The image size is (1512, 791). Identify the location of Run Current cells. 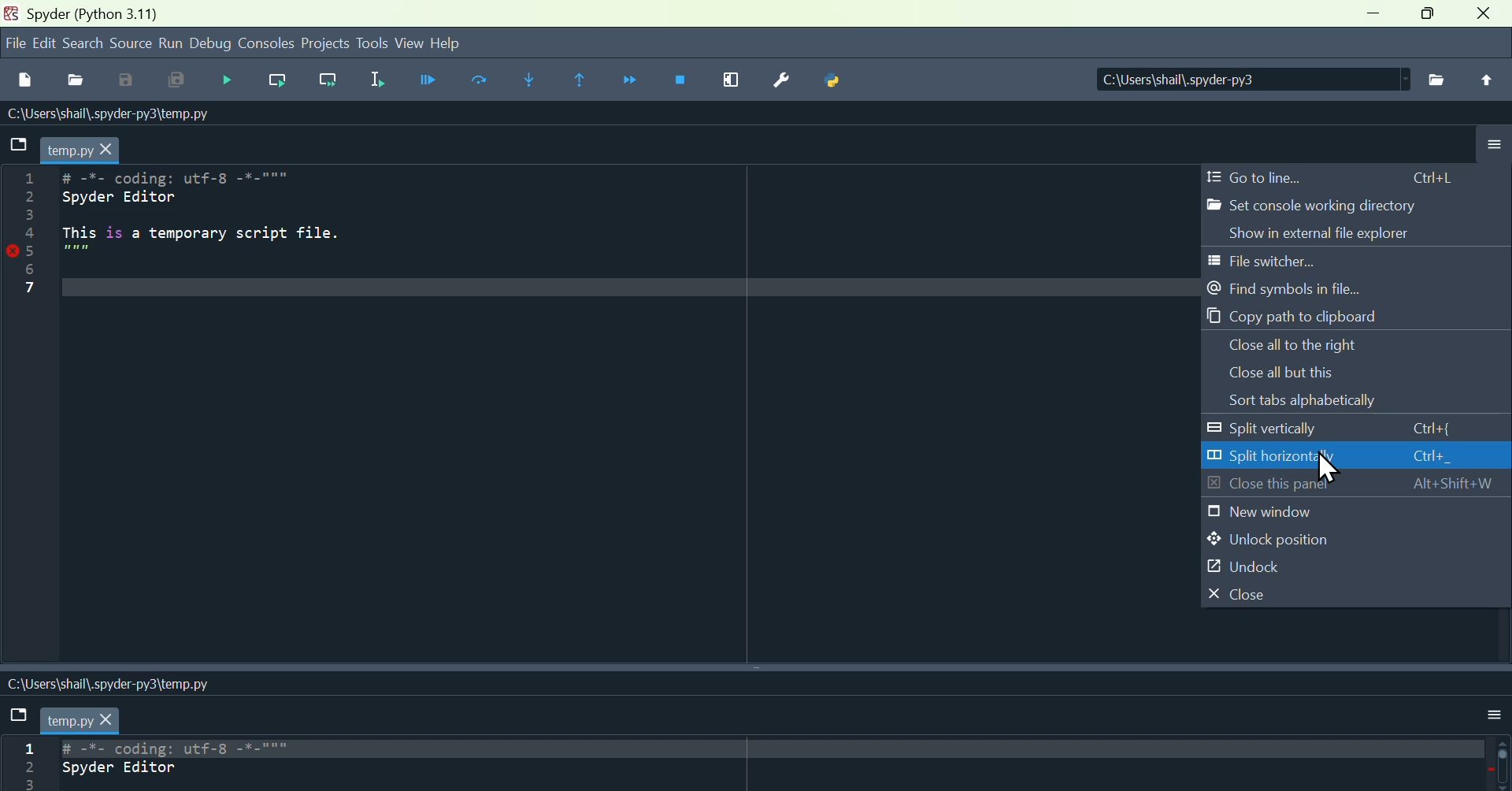
(477, 80).